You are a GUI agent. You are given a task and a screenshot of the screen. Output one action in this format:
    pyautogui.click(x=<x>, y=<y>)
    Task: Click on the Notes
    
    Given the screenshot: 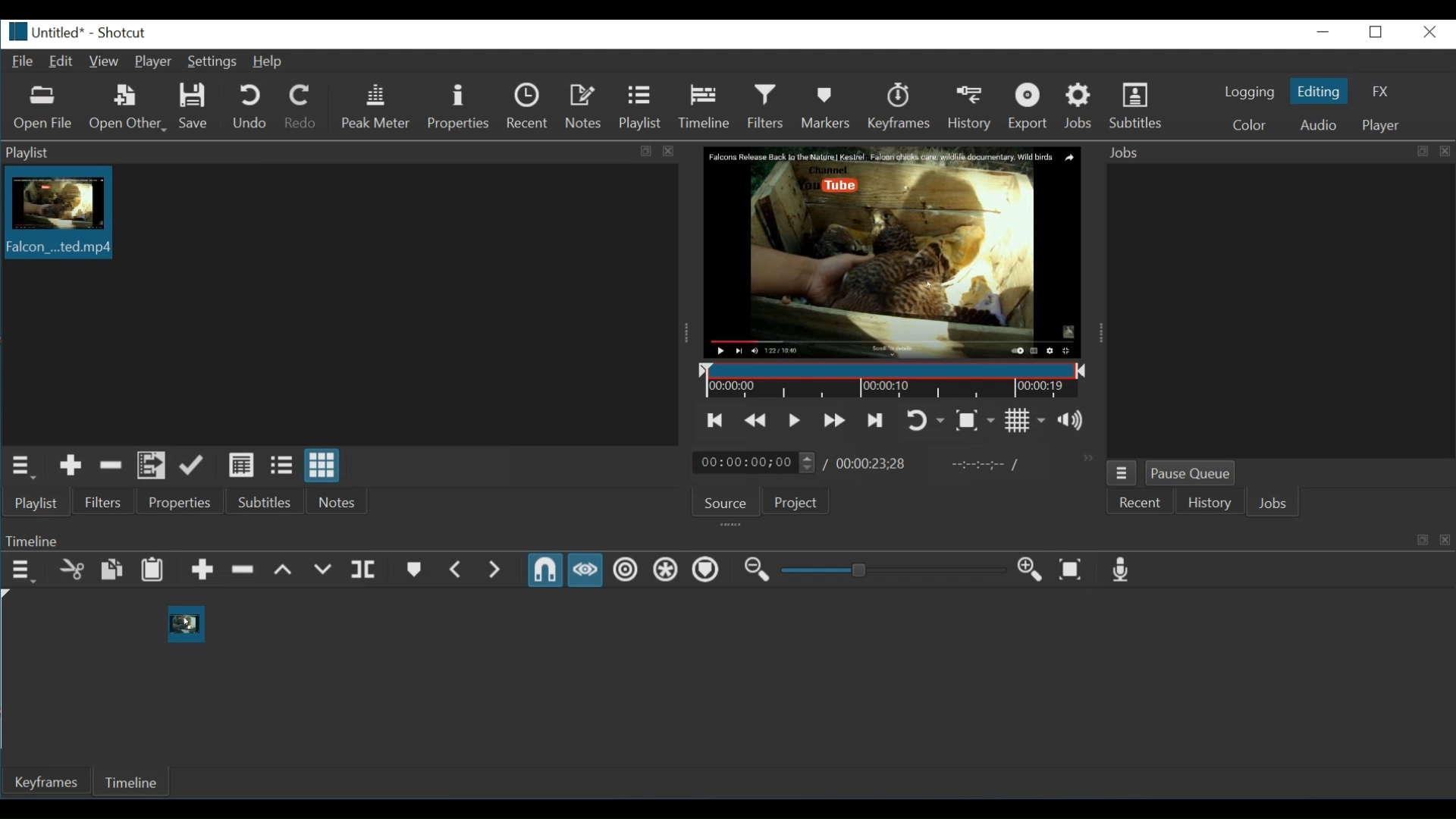 What is the action you would take?
    pyautogui.click(x=585, y=106)
    